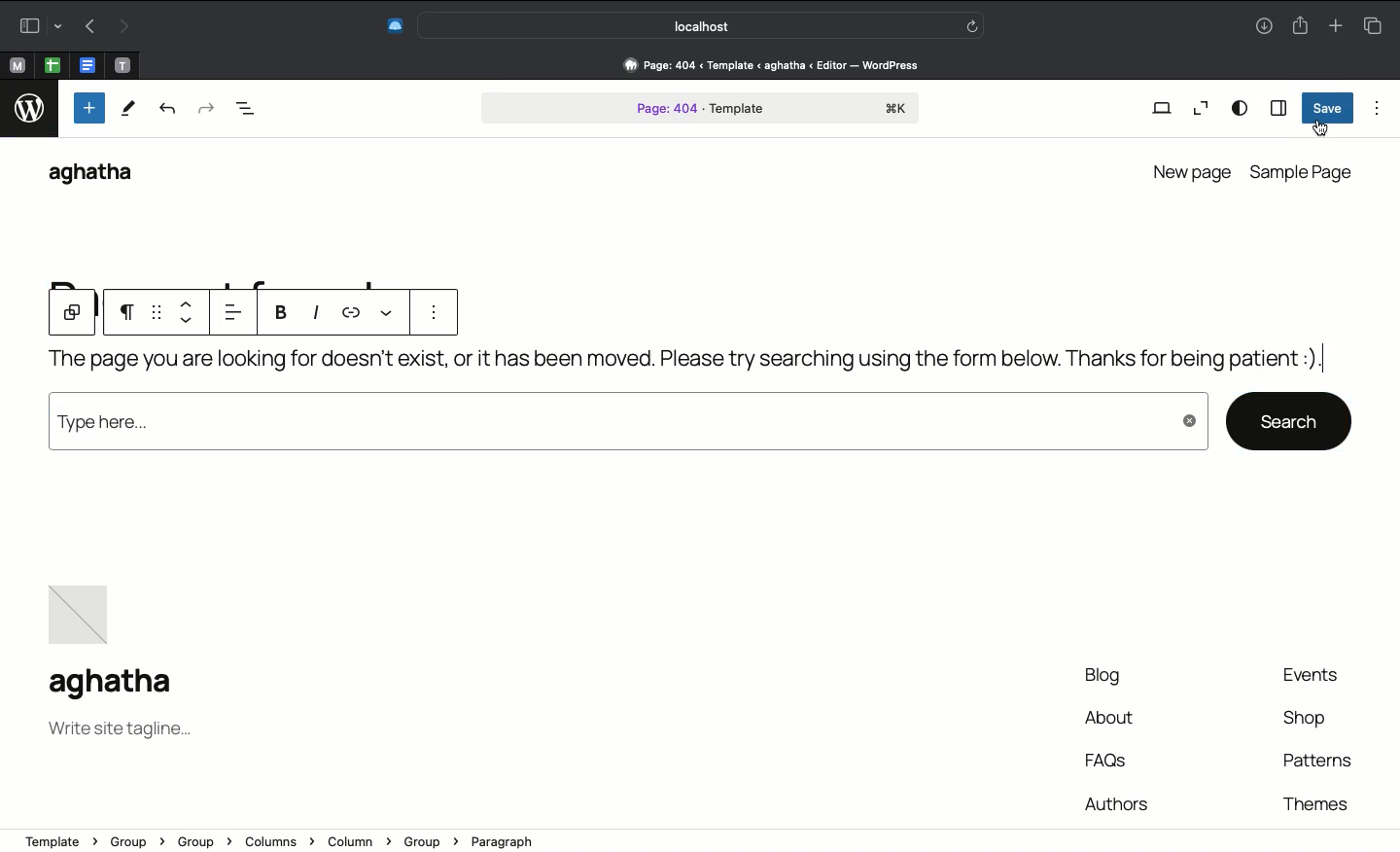 The width and height of the screenshot is (1400, 852). Describe the element at coordinates (127, 109) in the screenshot. I see `Tools` at that location.